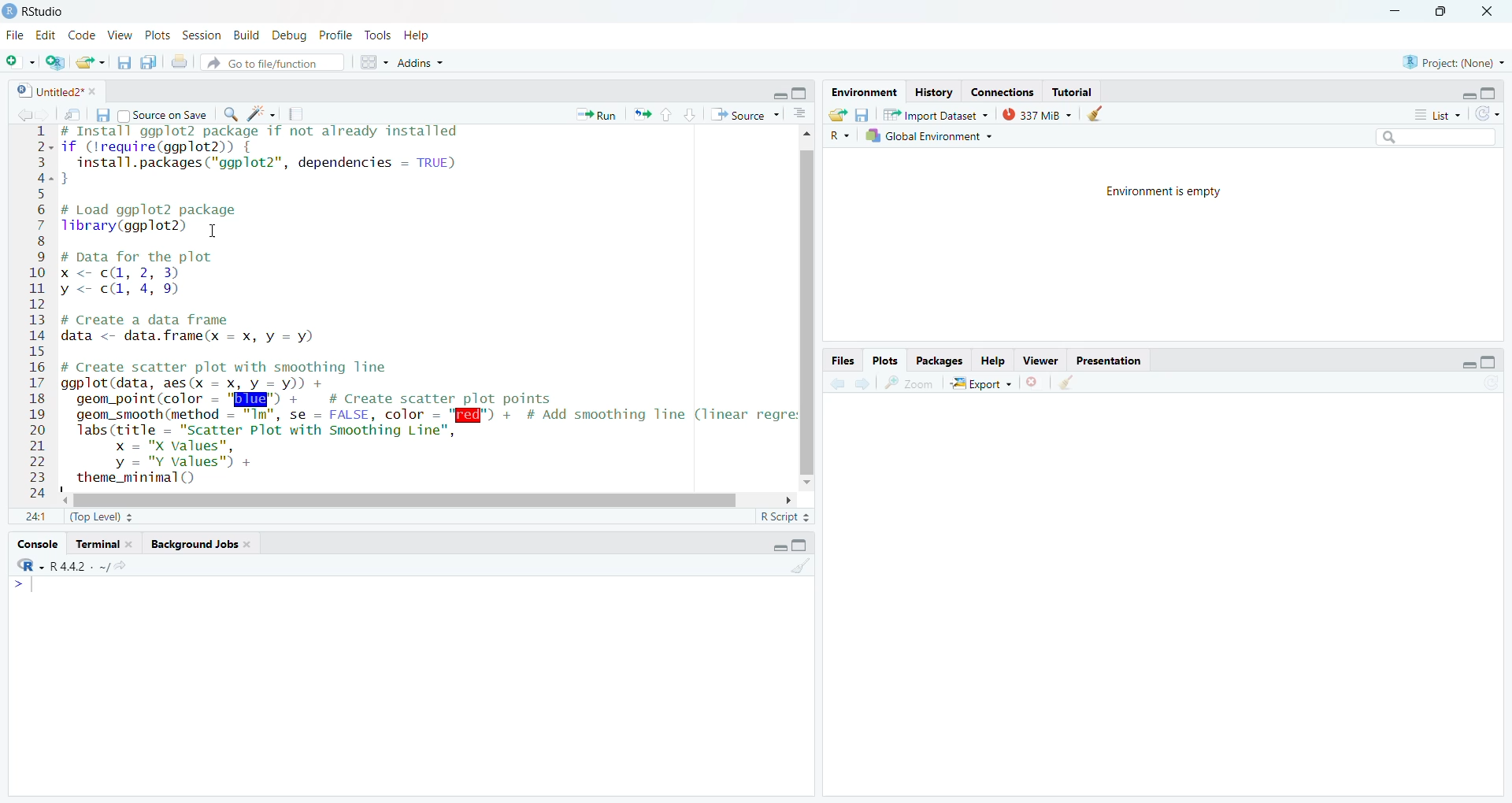 This screenshot has width=1512, height=803. I want to click on install ggp to 2 package if not already installed if Crequire(ggplot2)install.packages ("ggplot2", dependencies = TRUE)}# Load ggplot2 packageTibrary(ggplot2) 1# Data for the plotx <- c@, 2, 3)y <= c@, 4, 9)# Create a data framedata <- data.frame(x = x, y = y)# Create scatter plot with smoothing lineggplot(data, aes(x = x, y = y)) +geom_point(color - "BIE" + # Create scatter plot pointsgeom_smooth (method = "Im", se = FALSE, color = "[Q@l") + # Add smoothing line (linear regrelabs (title = "Scatter Plot with Smoothing Line",x = "X values",y = "Y values") +theme_minimal(), so click(424, 307).